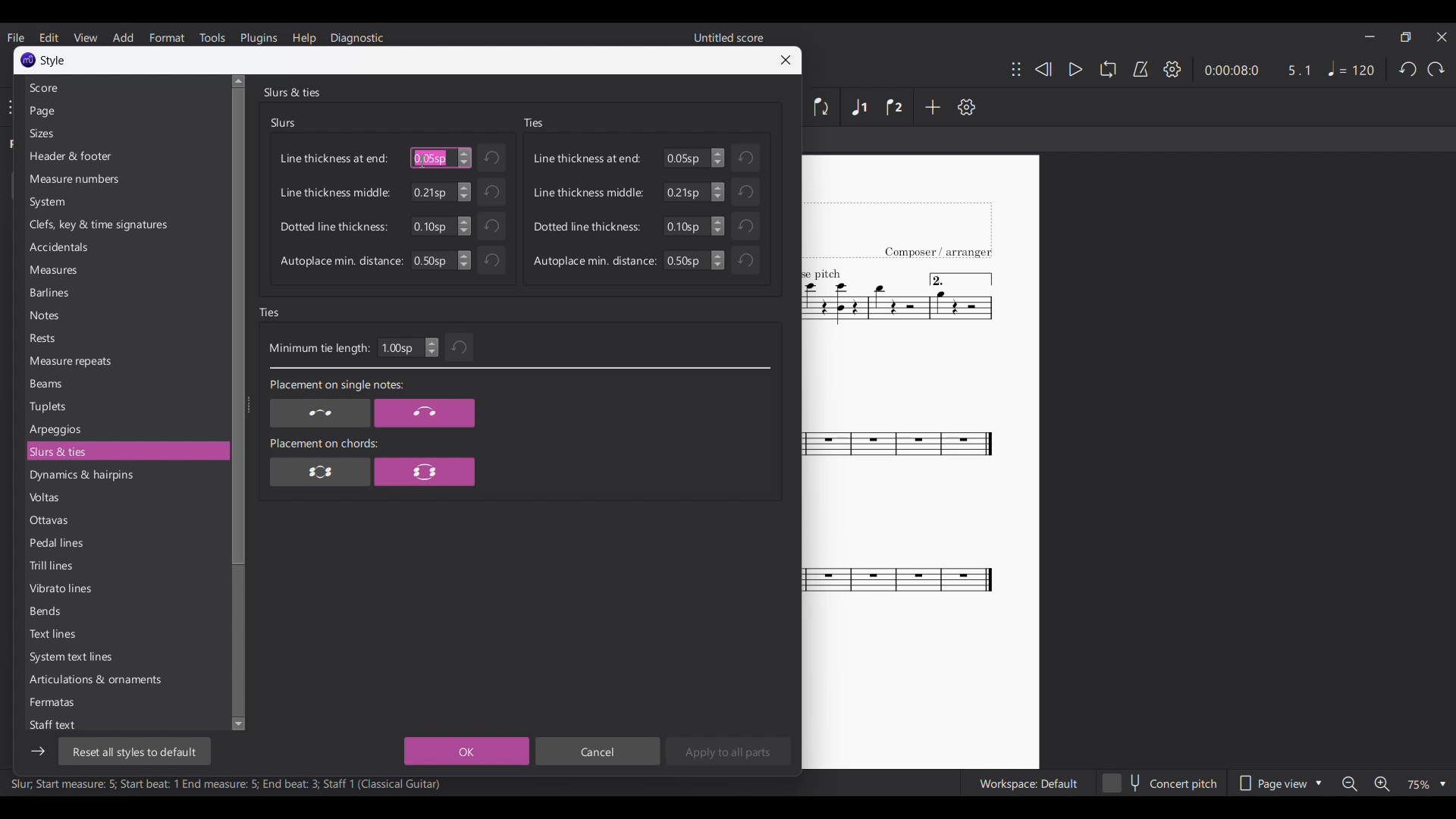 The width and height of the screenshot is (1456, 819). I want to click on Untitled score, so click(729, 37).